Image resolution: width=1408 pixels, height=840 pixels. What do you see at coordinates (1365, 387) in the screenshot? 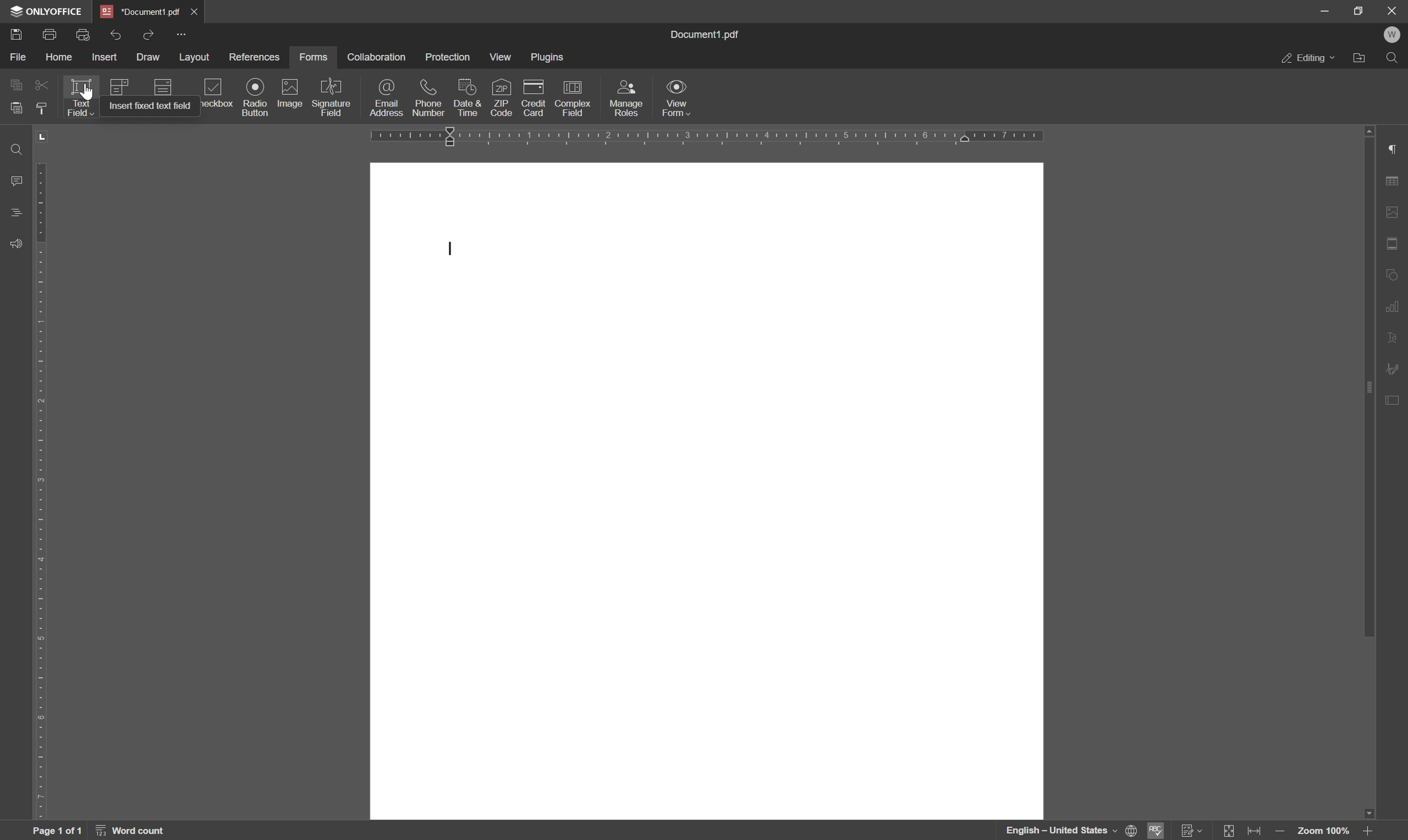
I see `scroll bar` at bounding box center [1365, 387].